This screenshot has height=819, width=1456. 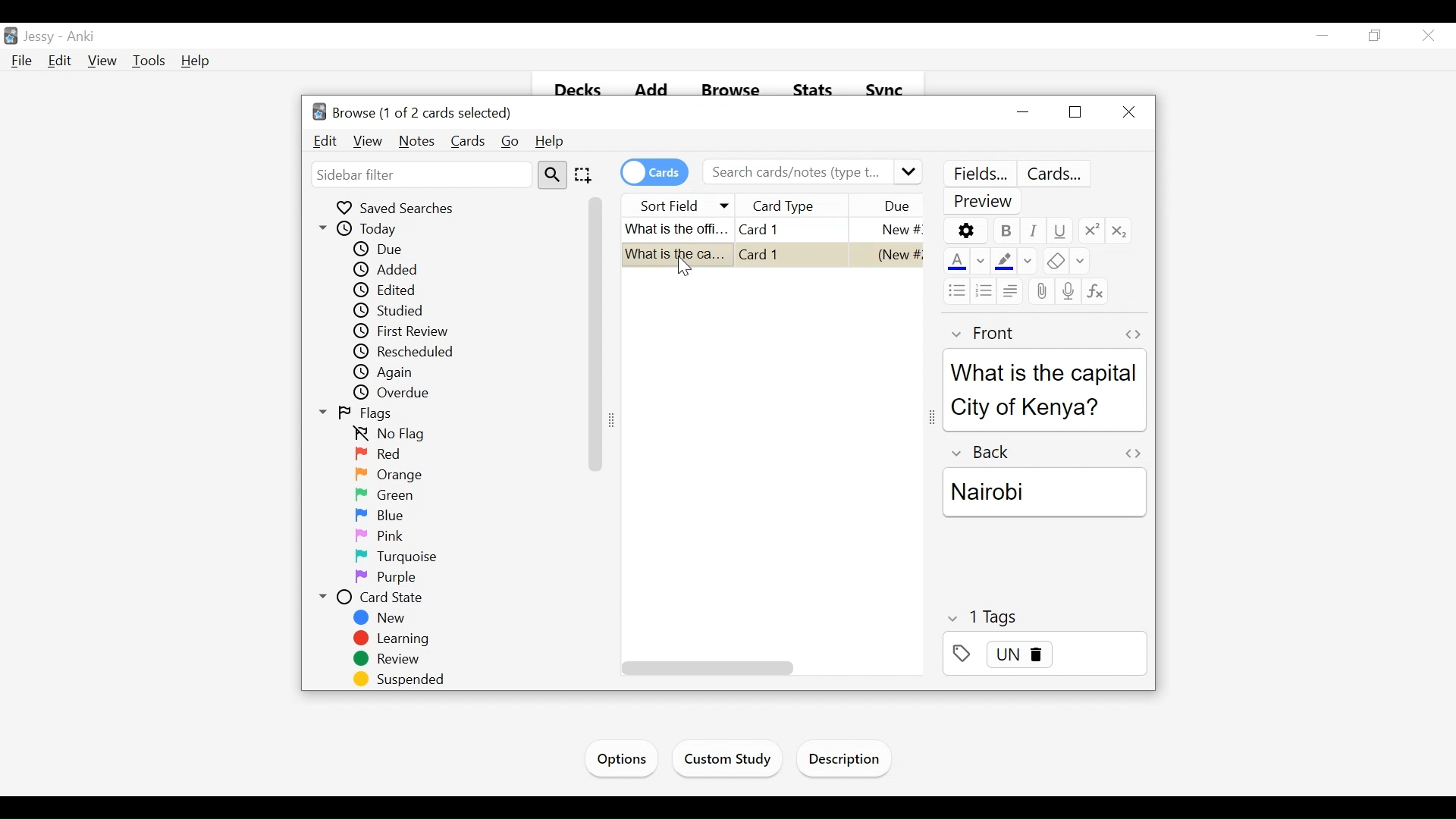 I want to click on Purple, so click(x=385, y=579).